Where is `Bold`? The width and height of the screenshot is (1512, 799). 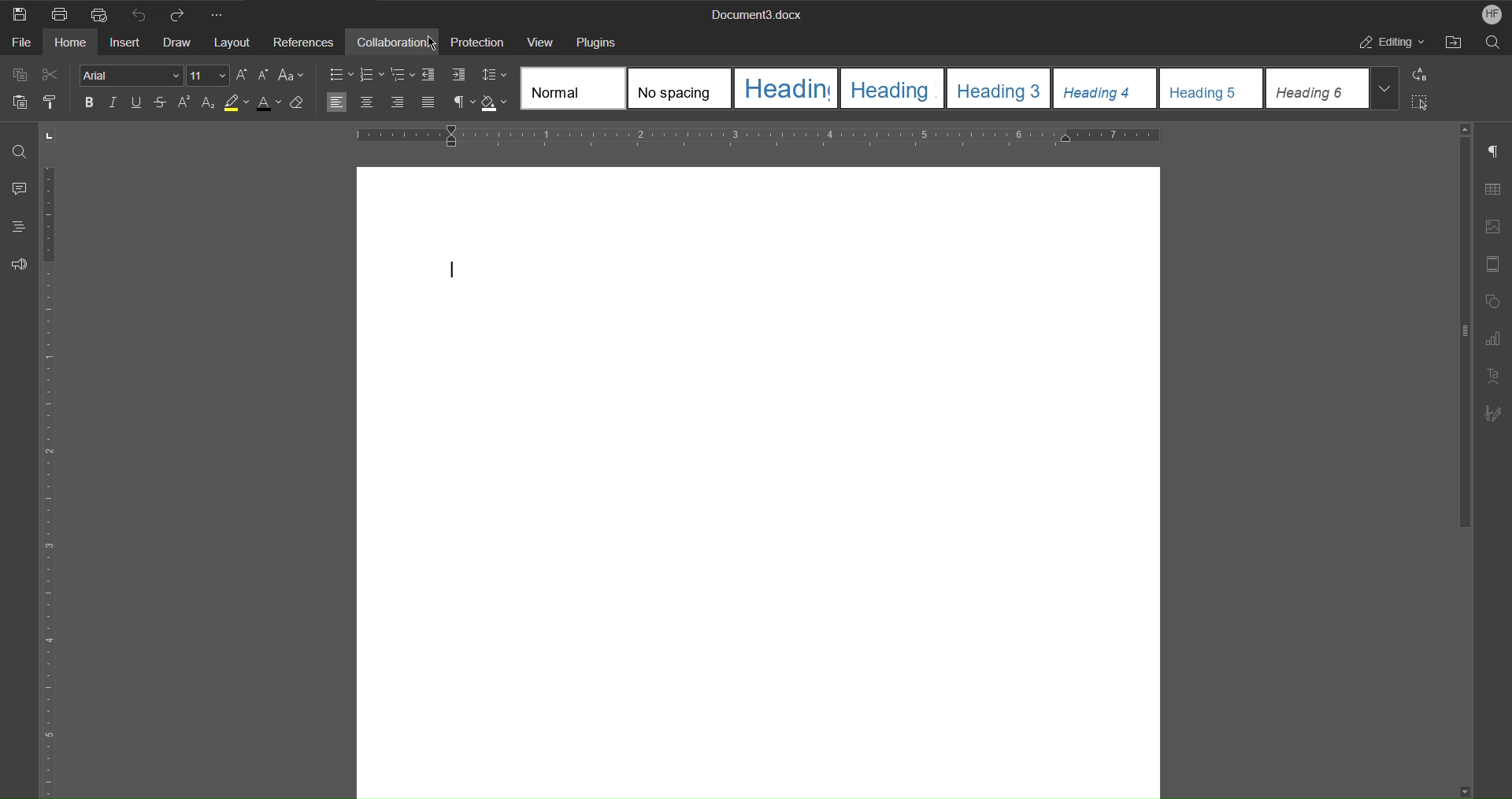 Bold is located at coordinates (90, 102).